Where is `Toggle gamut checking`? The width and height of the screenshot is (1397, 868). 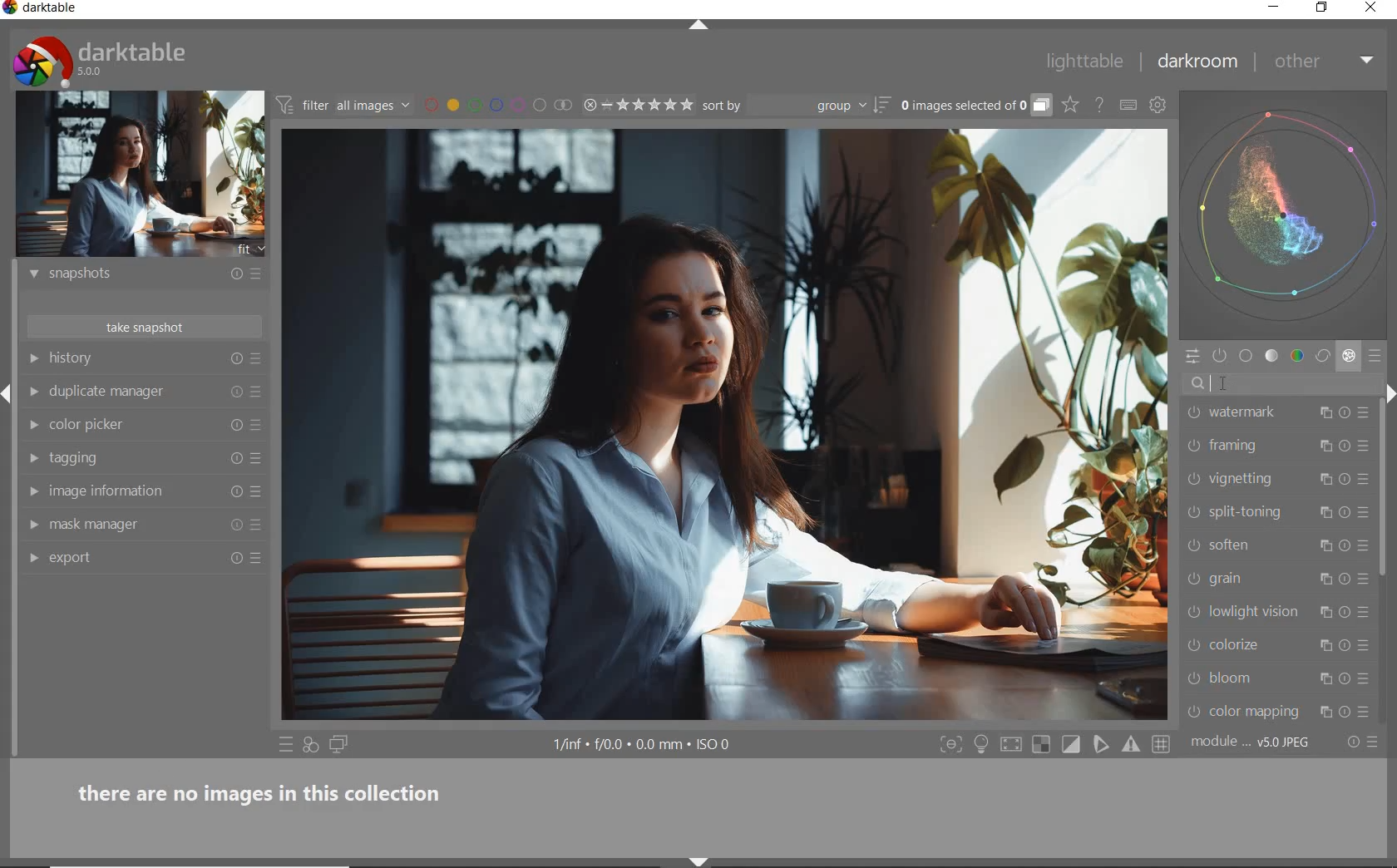
Toggle gamut checking is located at coordinates (1130, 745).